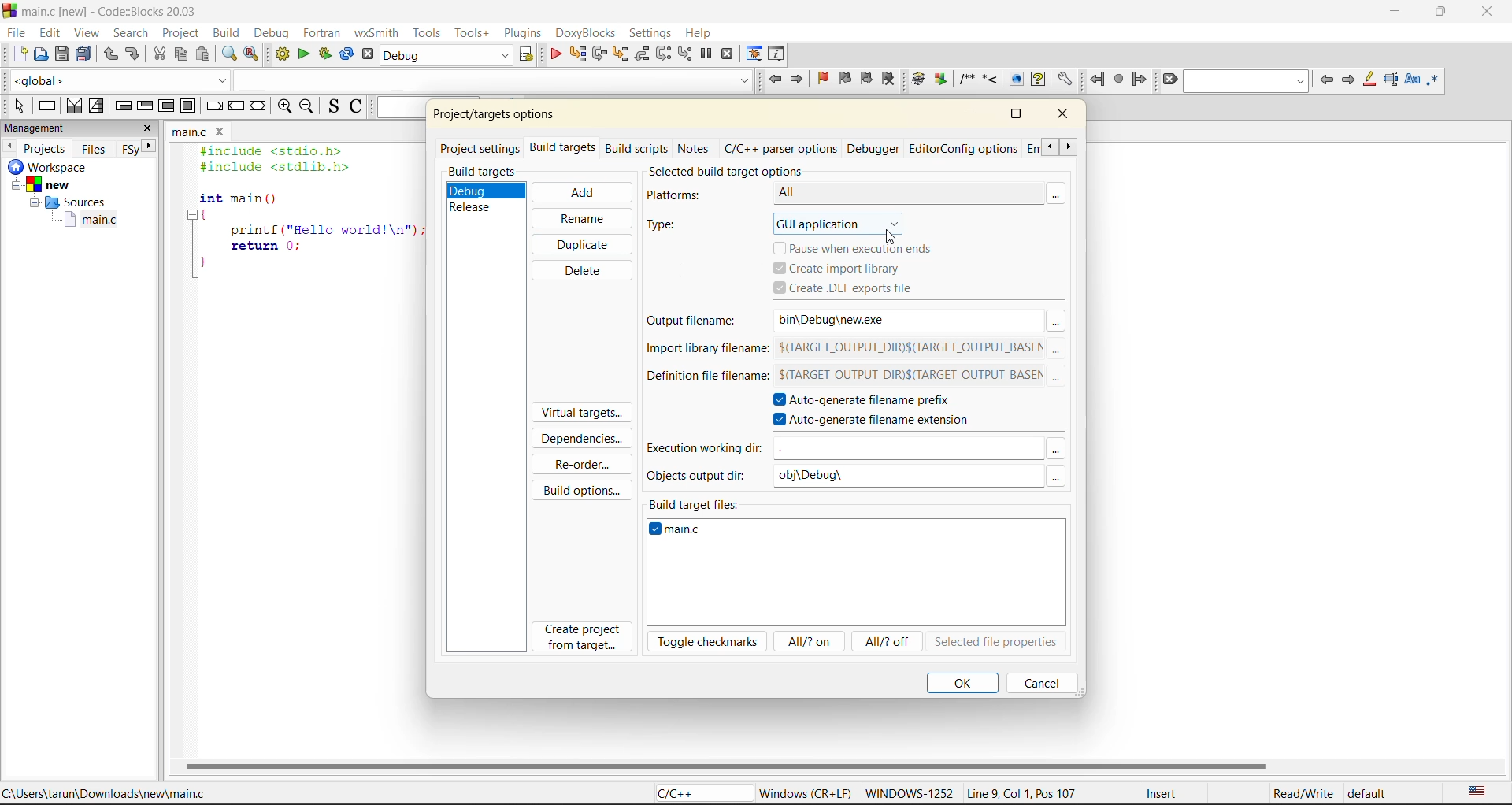  I want to click on minimize, so click(1401, 13).